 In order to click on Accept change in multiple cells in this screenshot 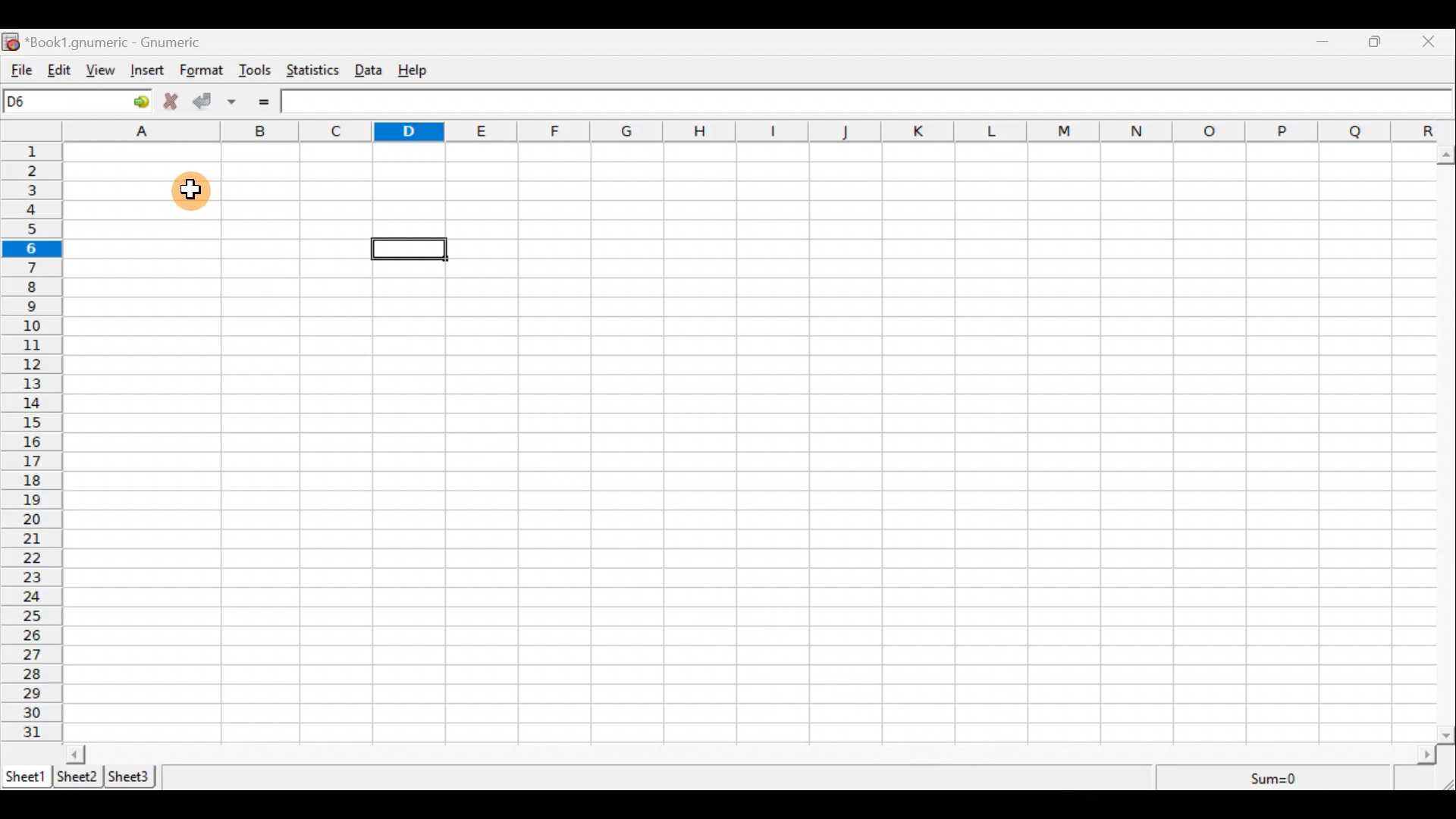, I will do `click(237, 102)`.